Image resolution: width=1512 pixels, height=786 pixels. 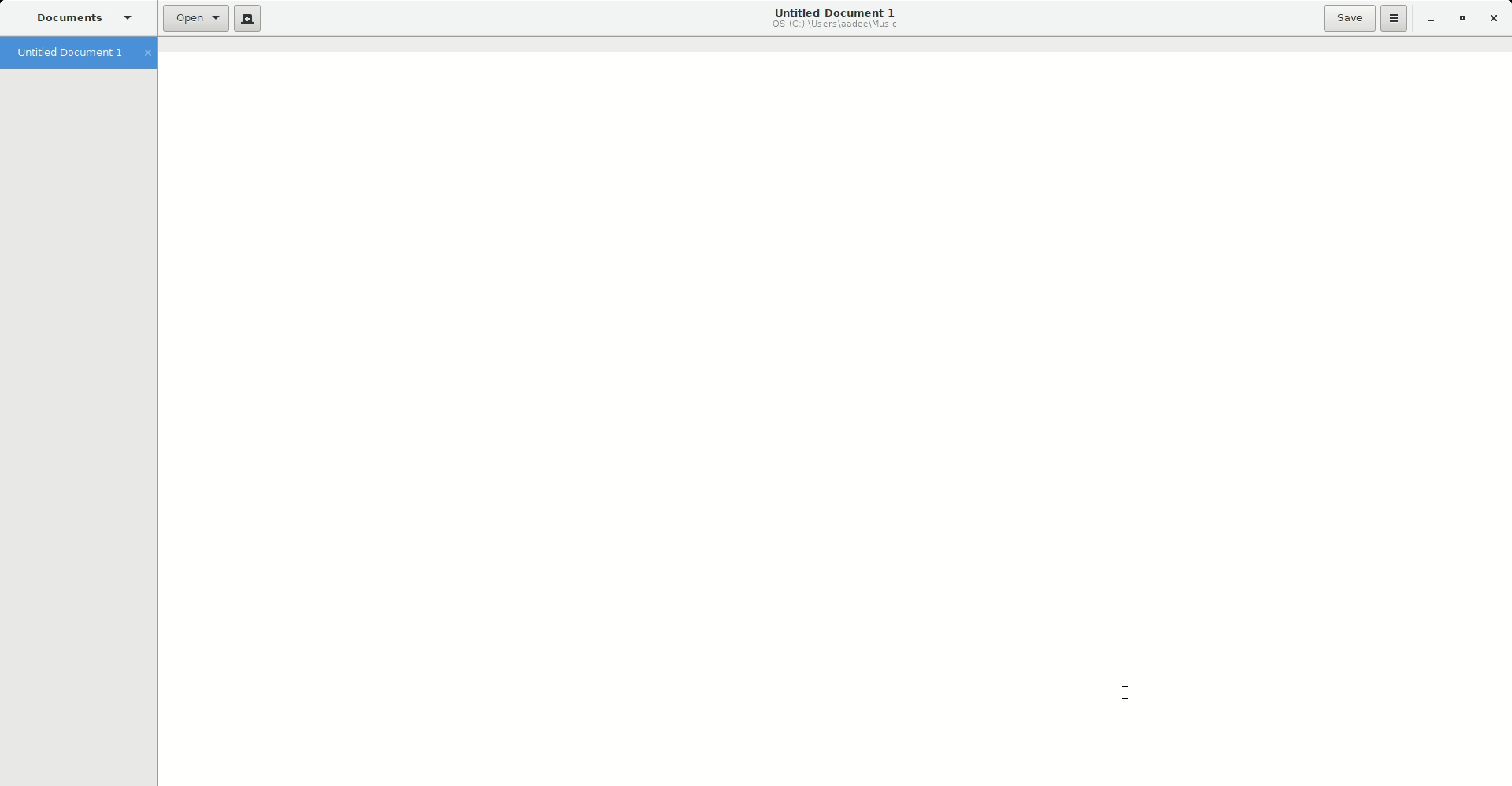 I want to click on Restore, so click(x=1462, y=18).